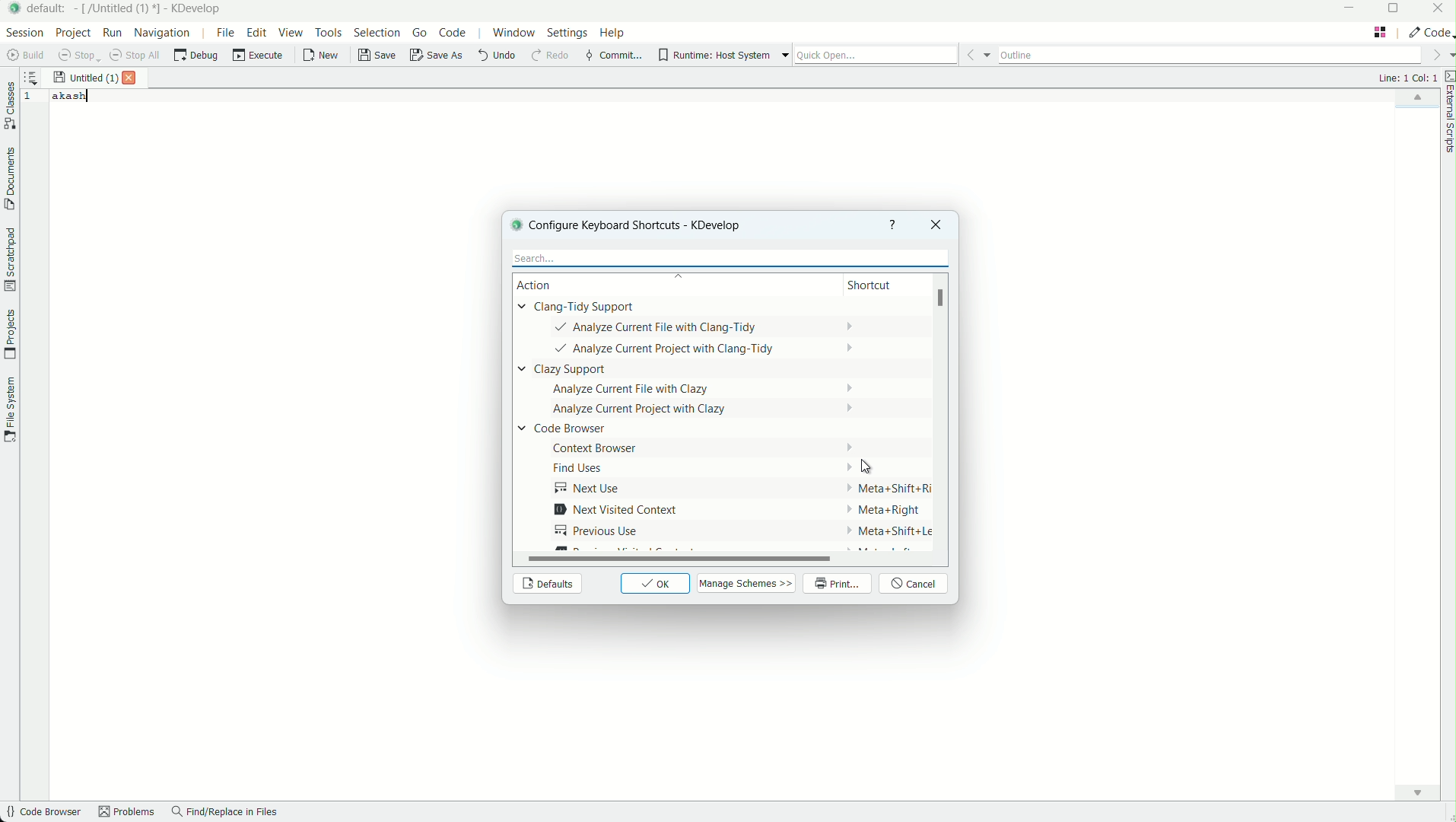  What do you see at coordinates (421, 33) in the screenshot?
I see `go menu` at bounding box center [421, 33].